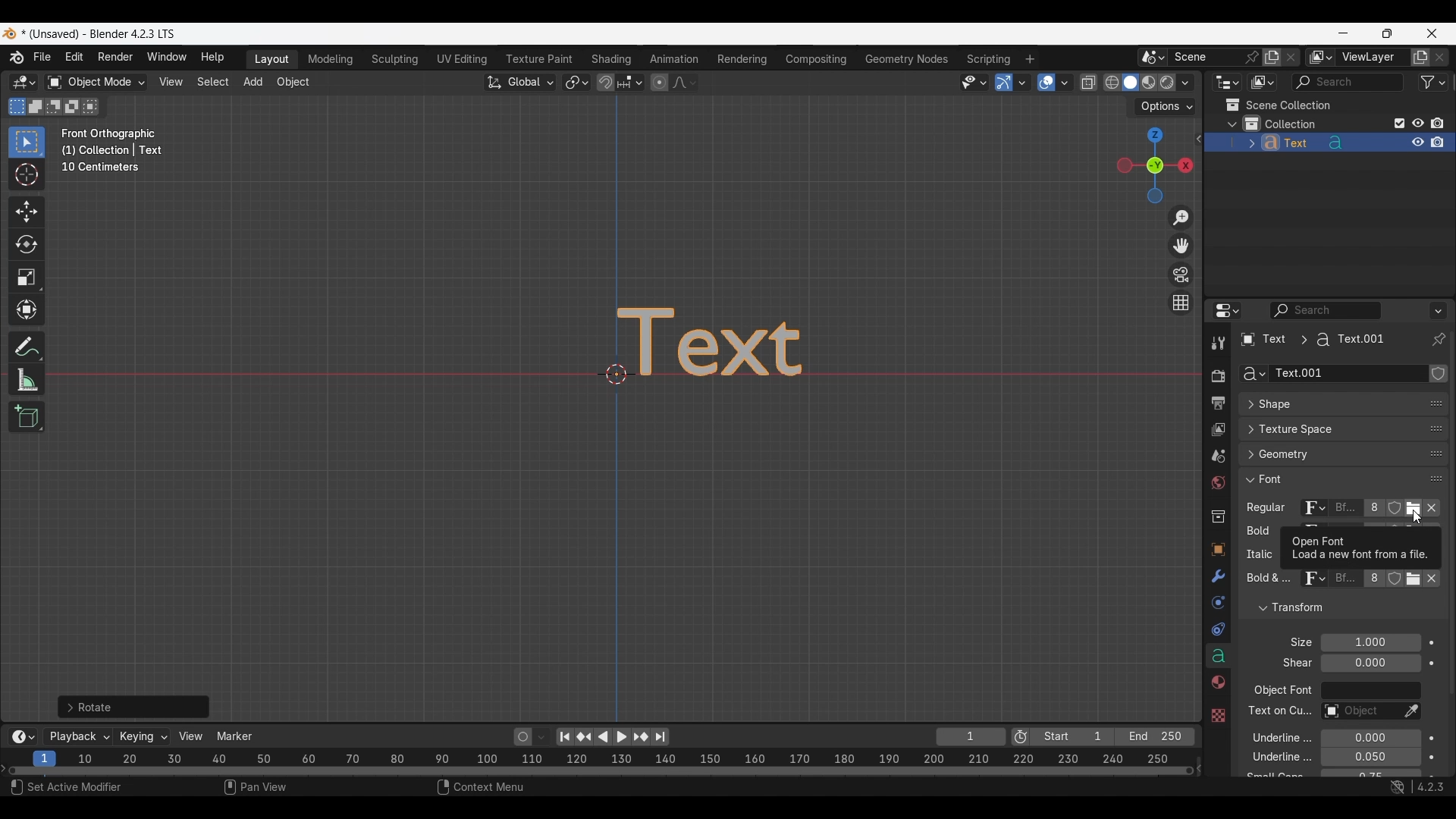 The width and height of the screenshot is (1456, 819). What do you see at coordinates (541, 59) in the screenshot?
I see `Texture paint workspace` at bounding box center [541, 59].